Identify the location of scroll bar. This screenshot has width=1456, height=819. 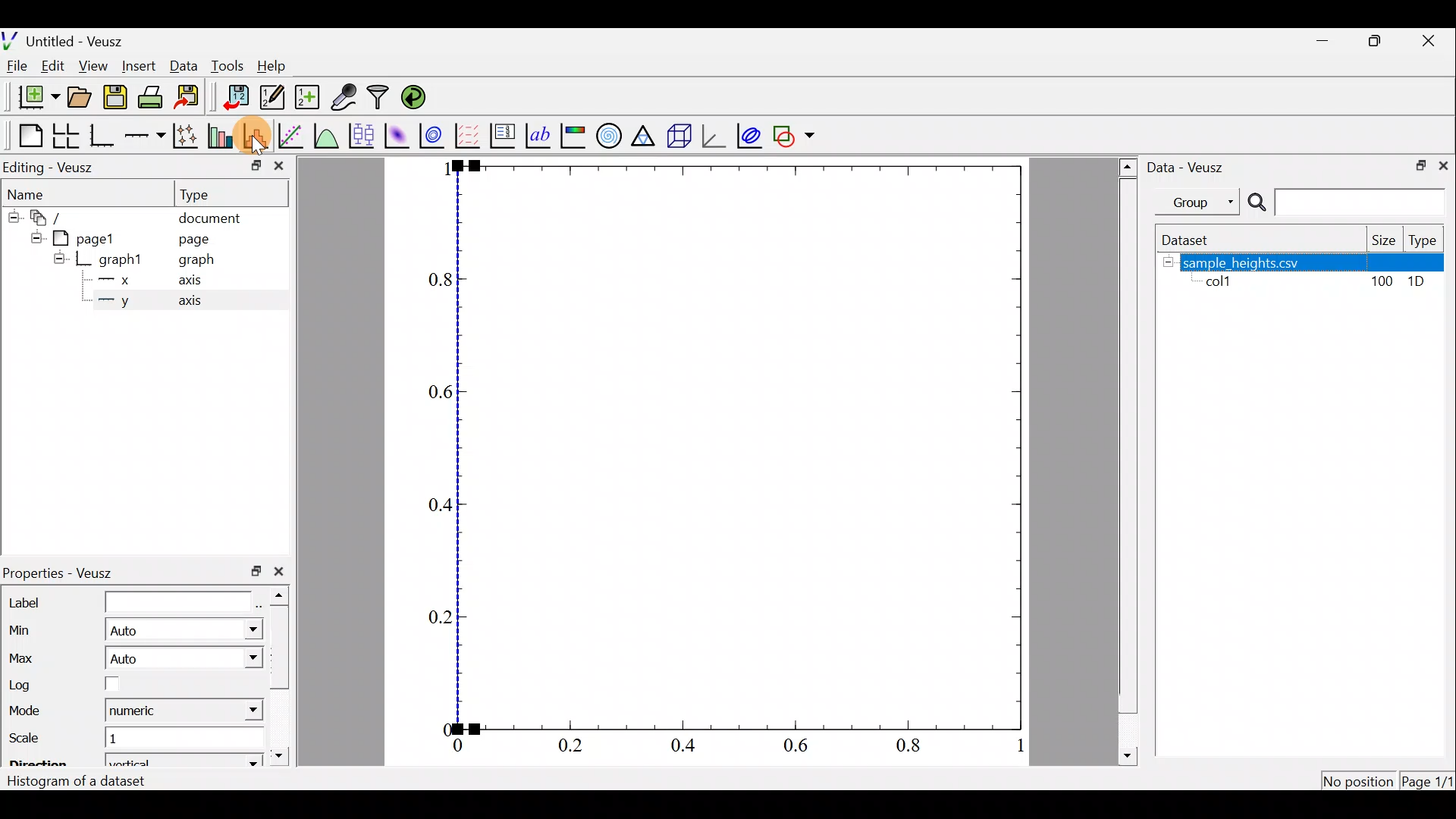
(279, 676).